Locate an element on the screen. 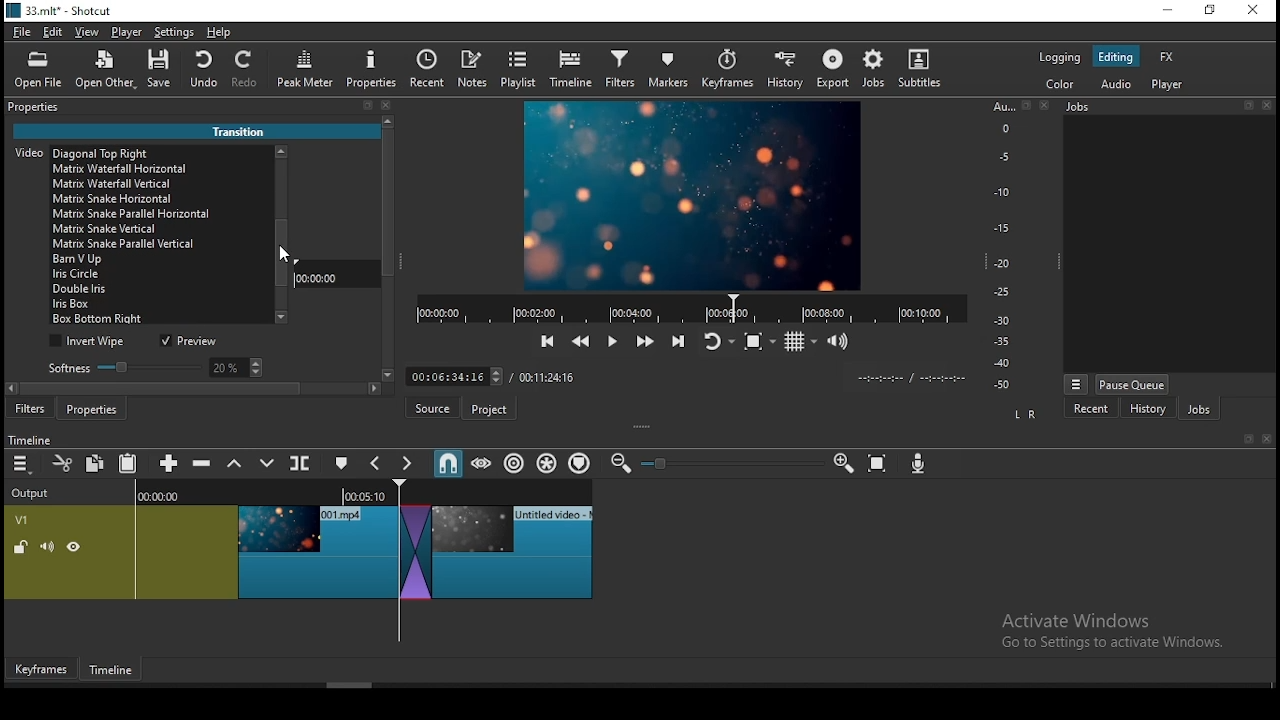  ripple is located at coordinates (514, 464).